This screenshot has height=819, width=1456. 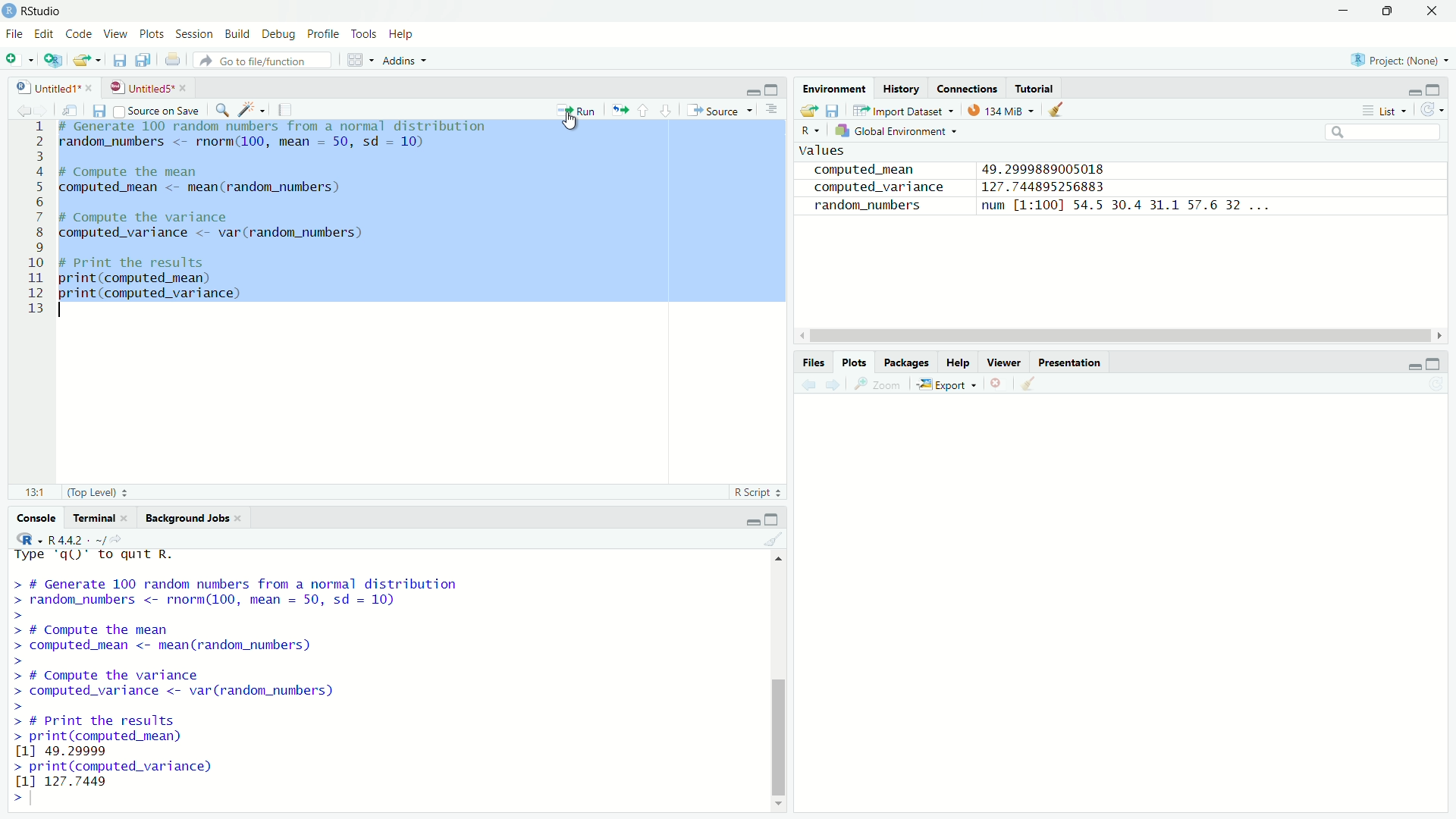 I want to click on close, so click(x=1436, y=11).